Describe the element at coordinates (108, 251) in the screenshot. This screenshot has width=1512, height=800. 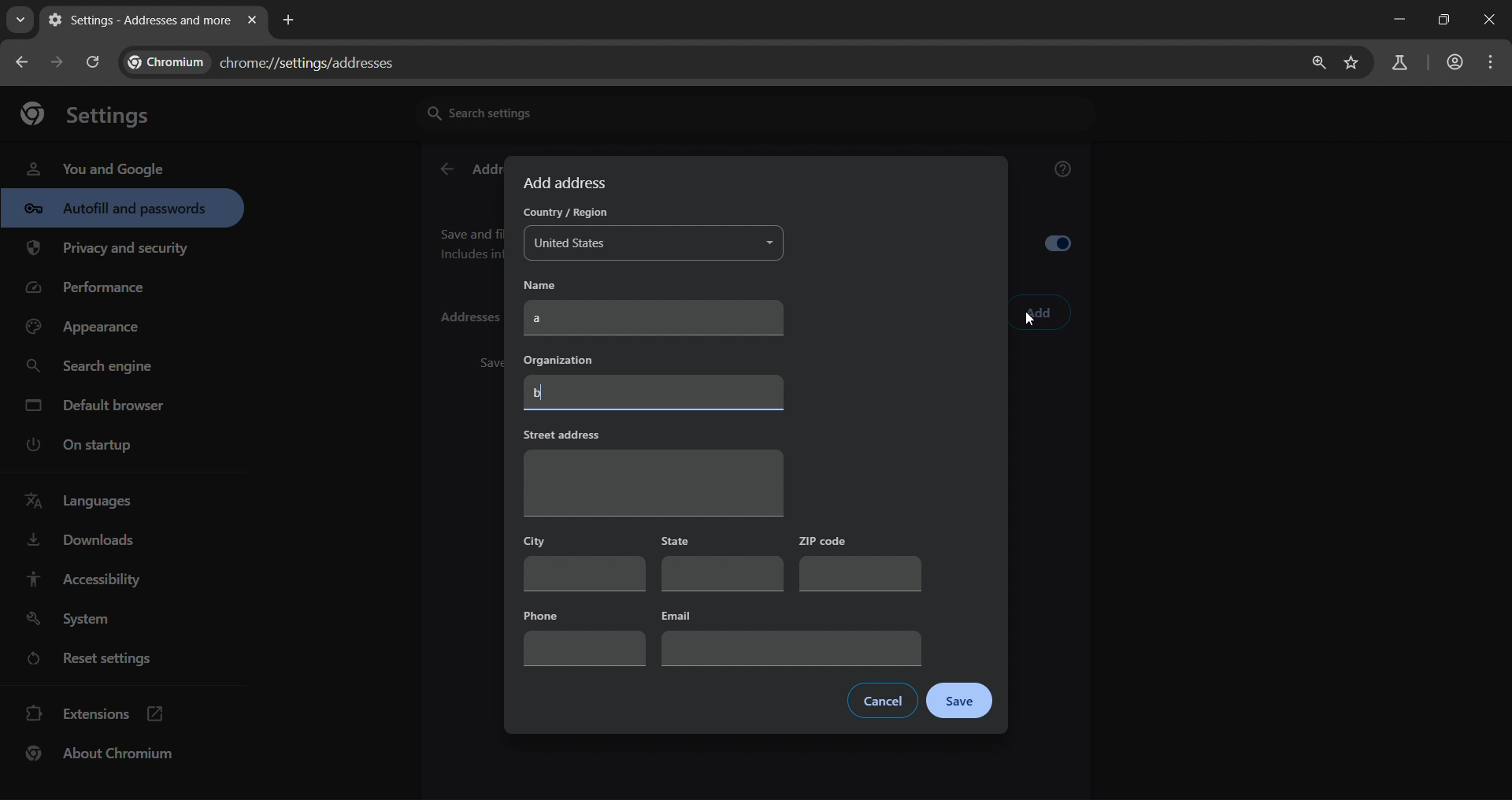
I see `privacy & security` at that location.